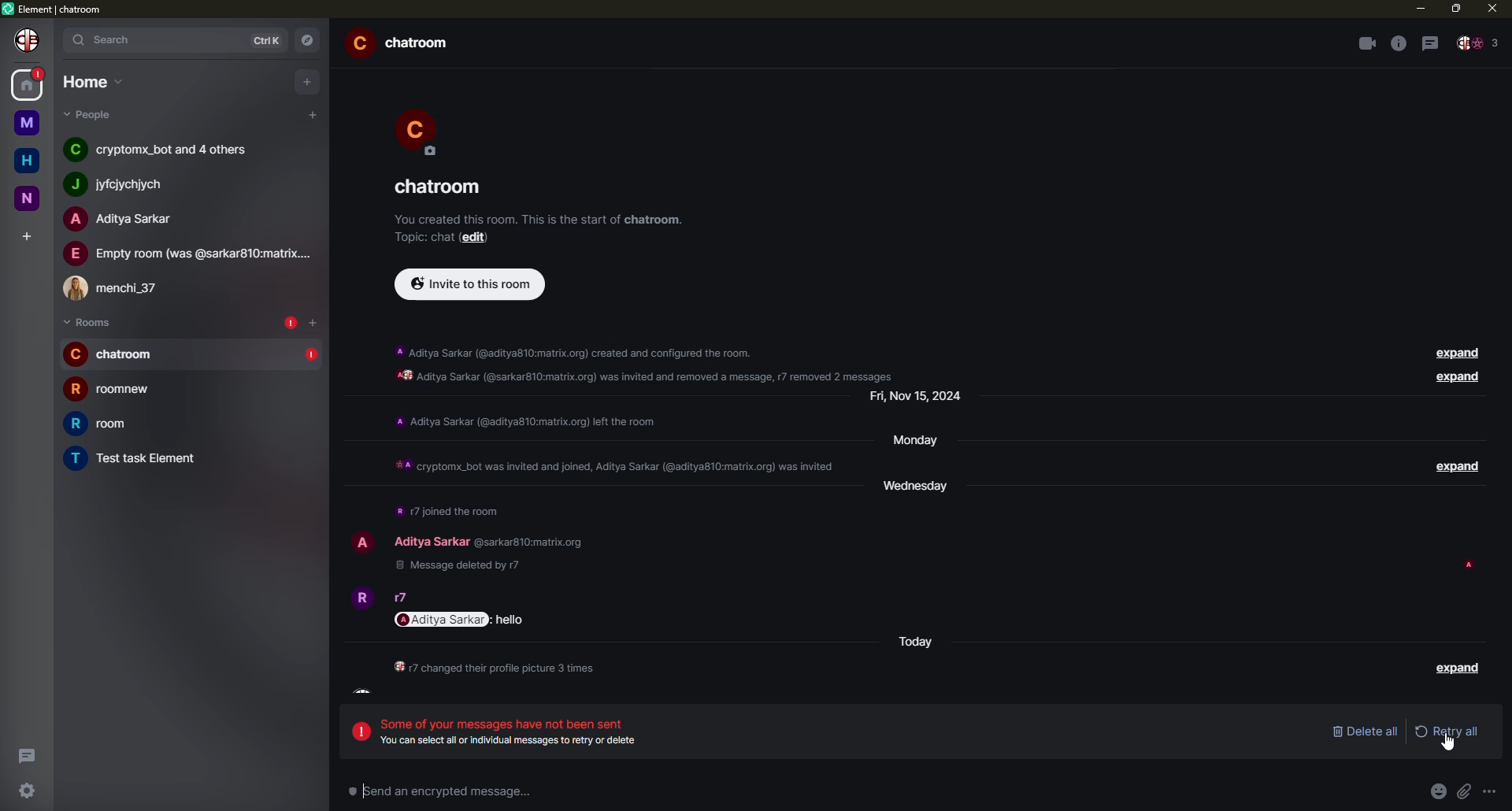 The height and width of the screenshot is (811, 1512). I want to click on id, so click(530, 542).